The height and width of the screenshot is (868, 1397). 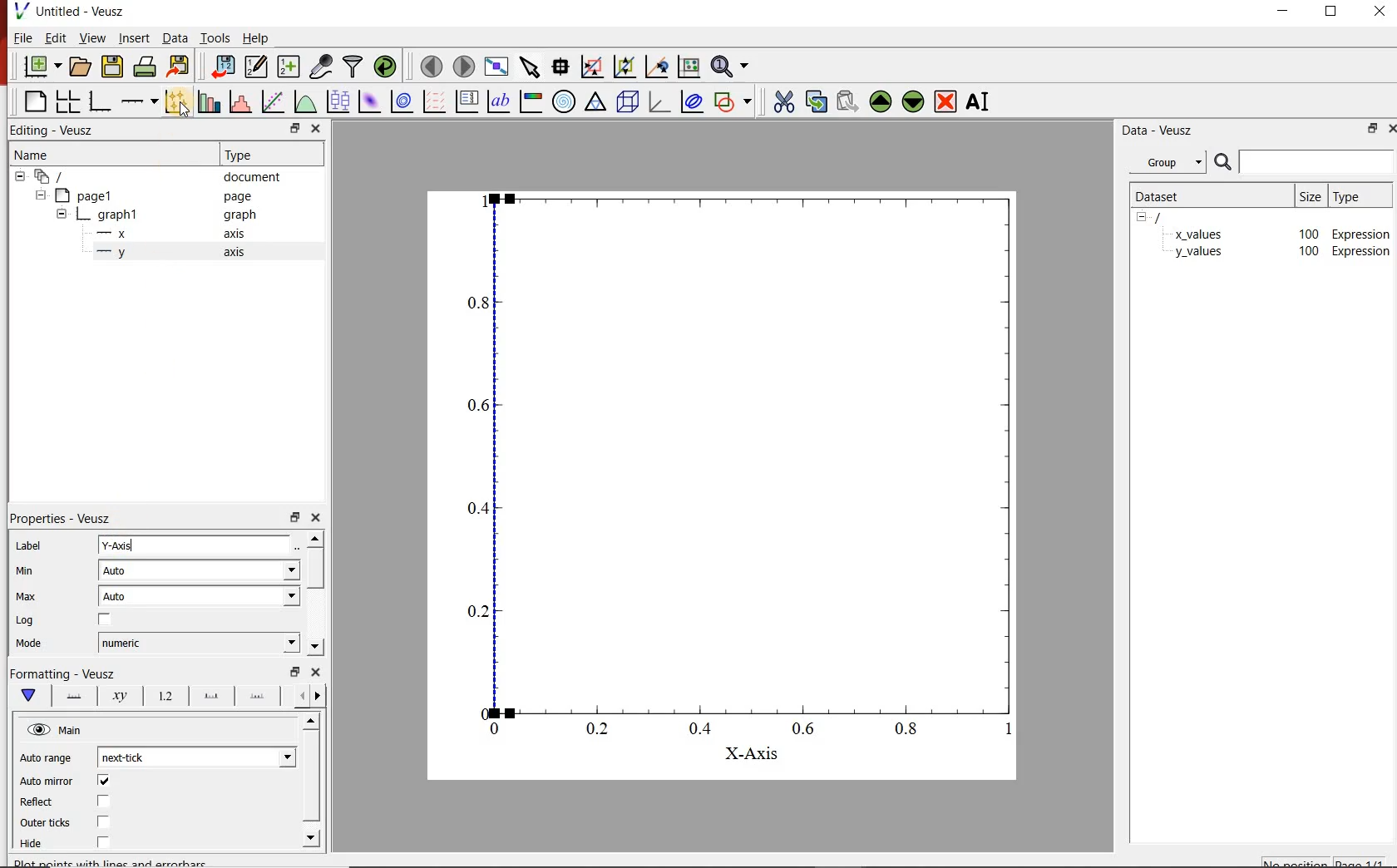 What do you see at coordinates (259, 696) in the screenshot?
I see `minor ticks` at bounding box center [259, 696].